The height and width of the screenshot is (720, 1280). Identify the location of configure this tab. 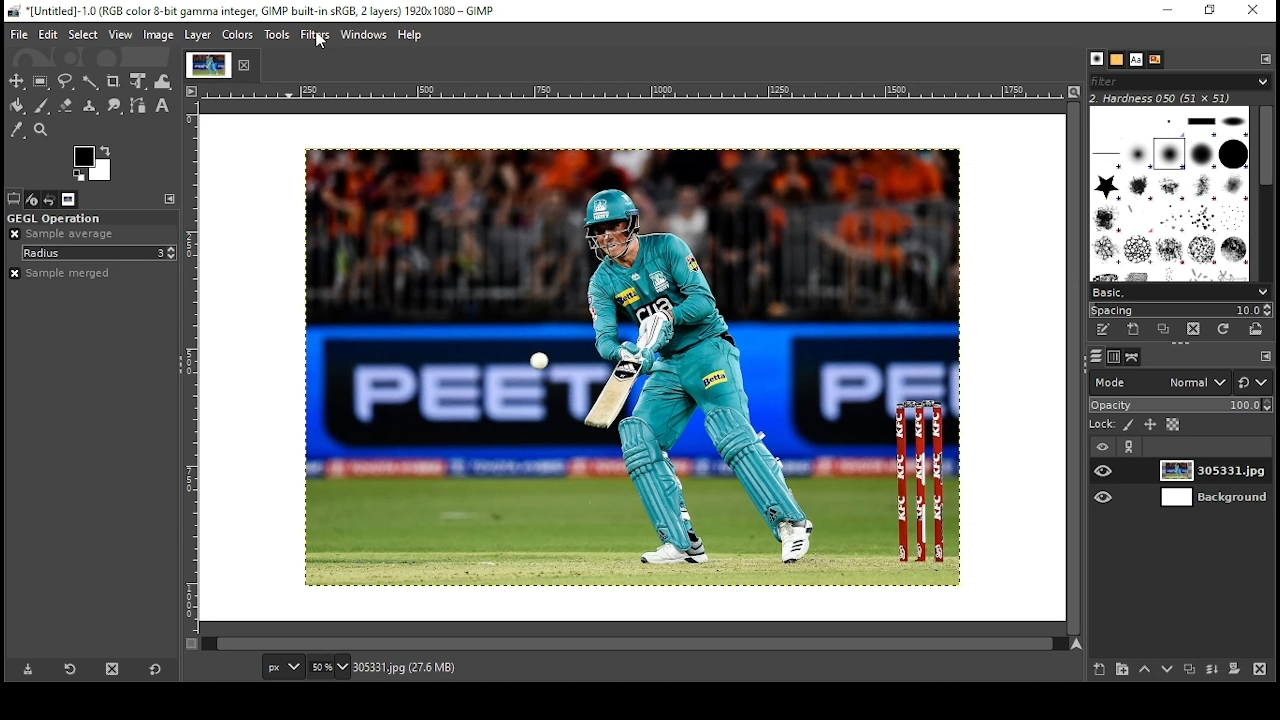
(1263, 59).